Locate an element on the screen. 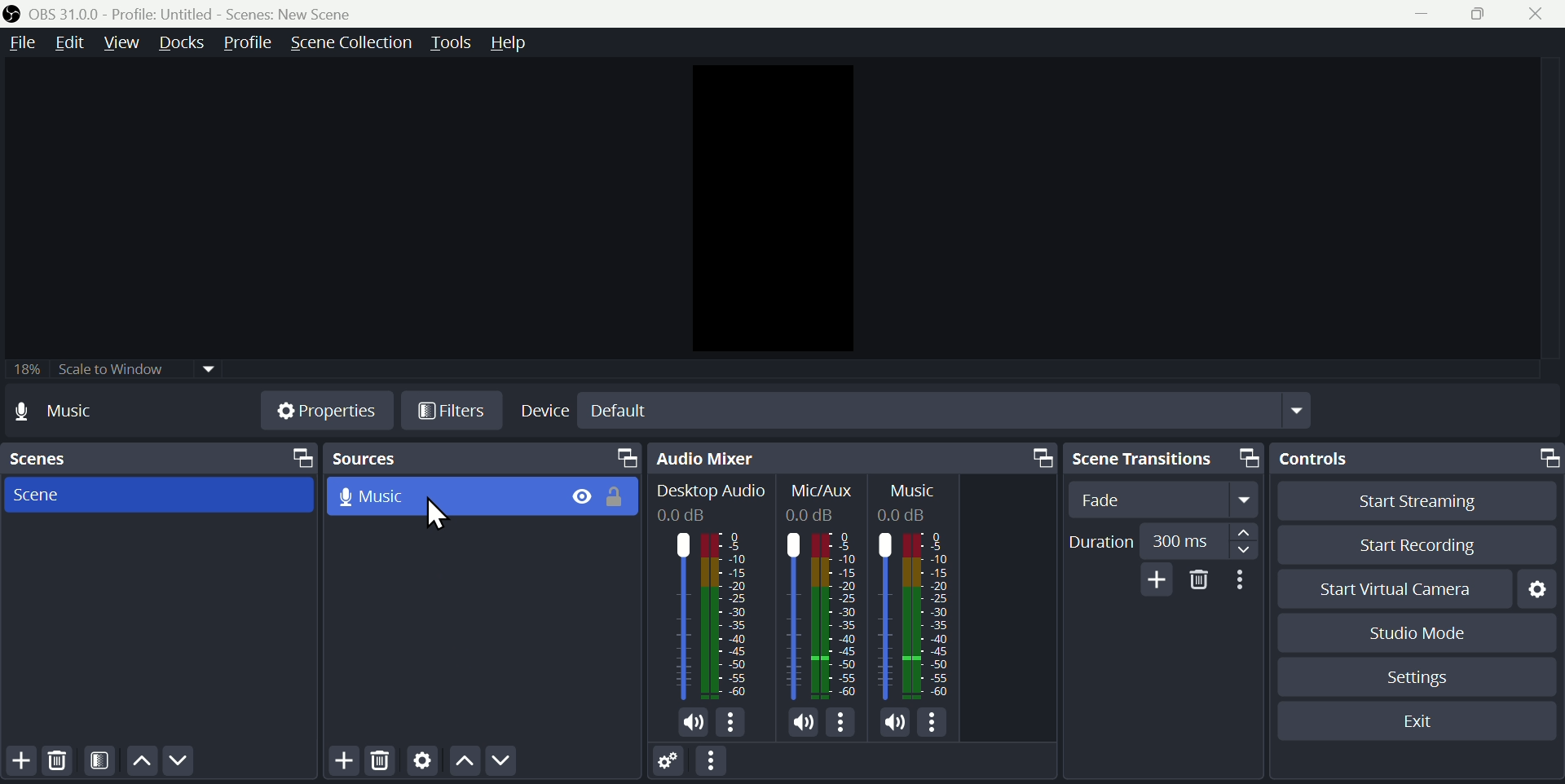 The width and height of the screenshot is (1565, 784).  is located at coordinates (818, 514).